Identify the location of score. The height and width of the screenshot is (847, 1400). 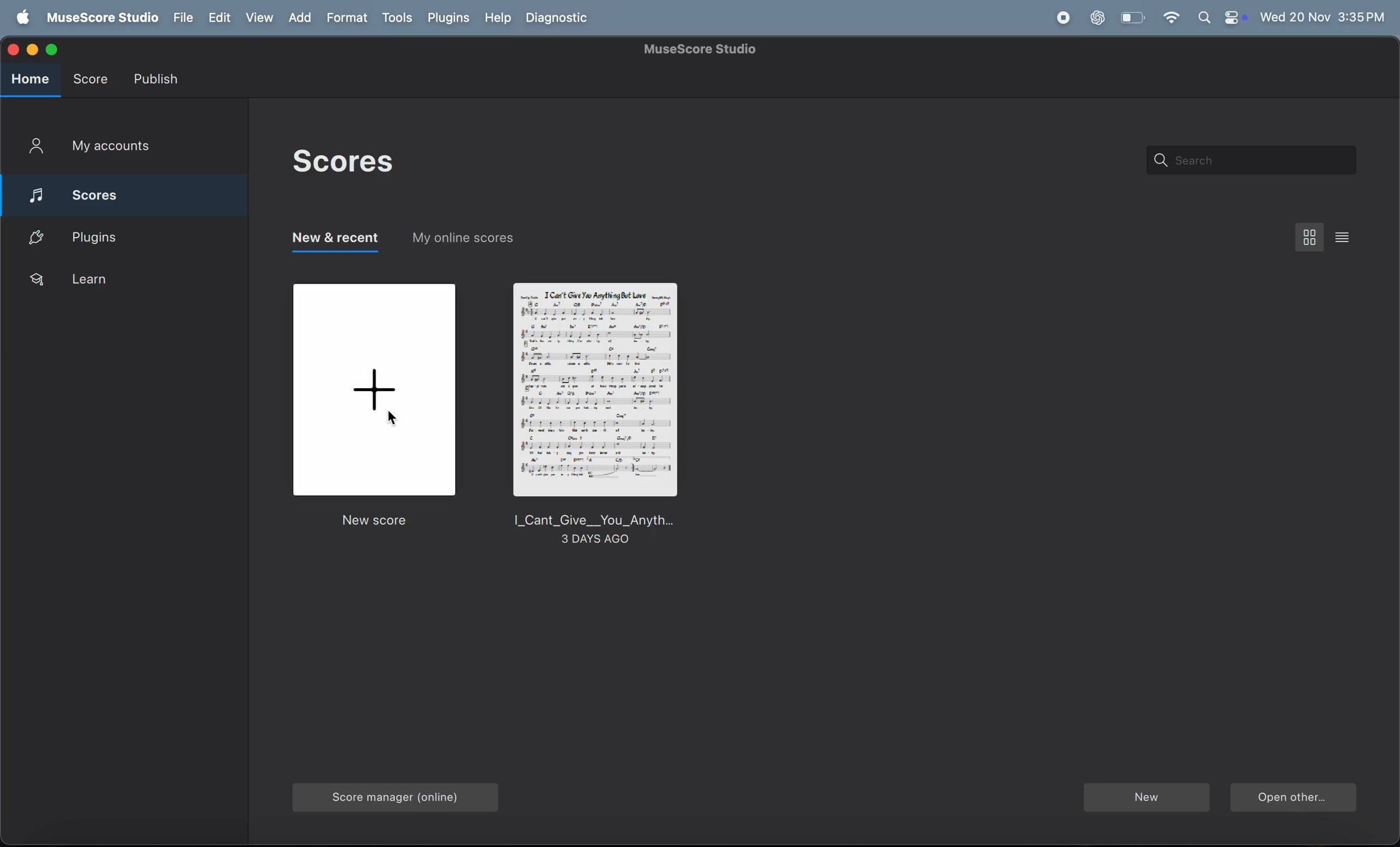
(90, 76).